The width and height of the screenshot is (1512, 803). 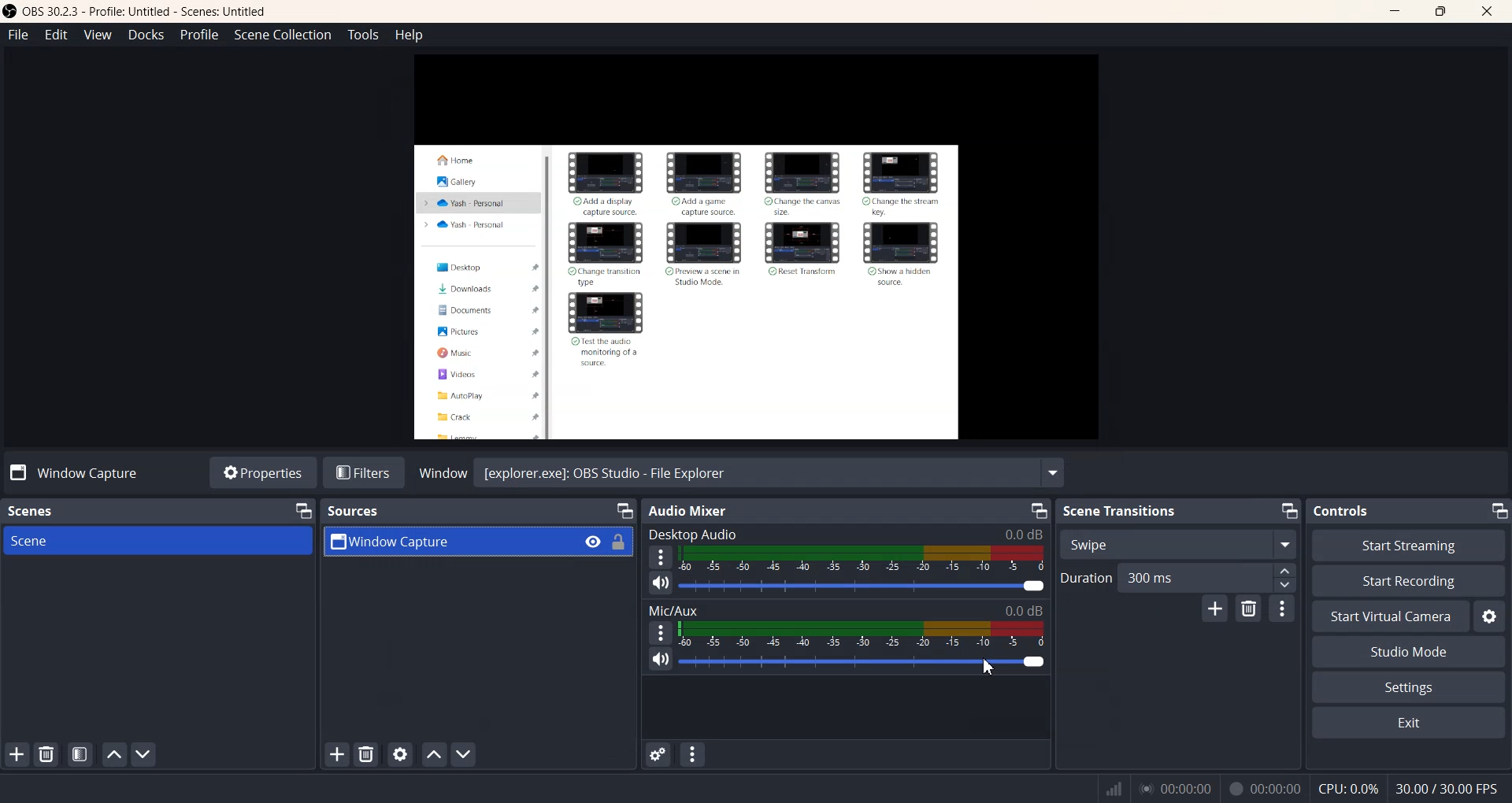 I want to click on Minimize, so click(x=1289, y=511).